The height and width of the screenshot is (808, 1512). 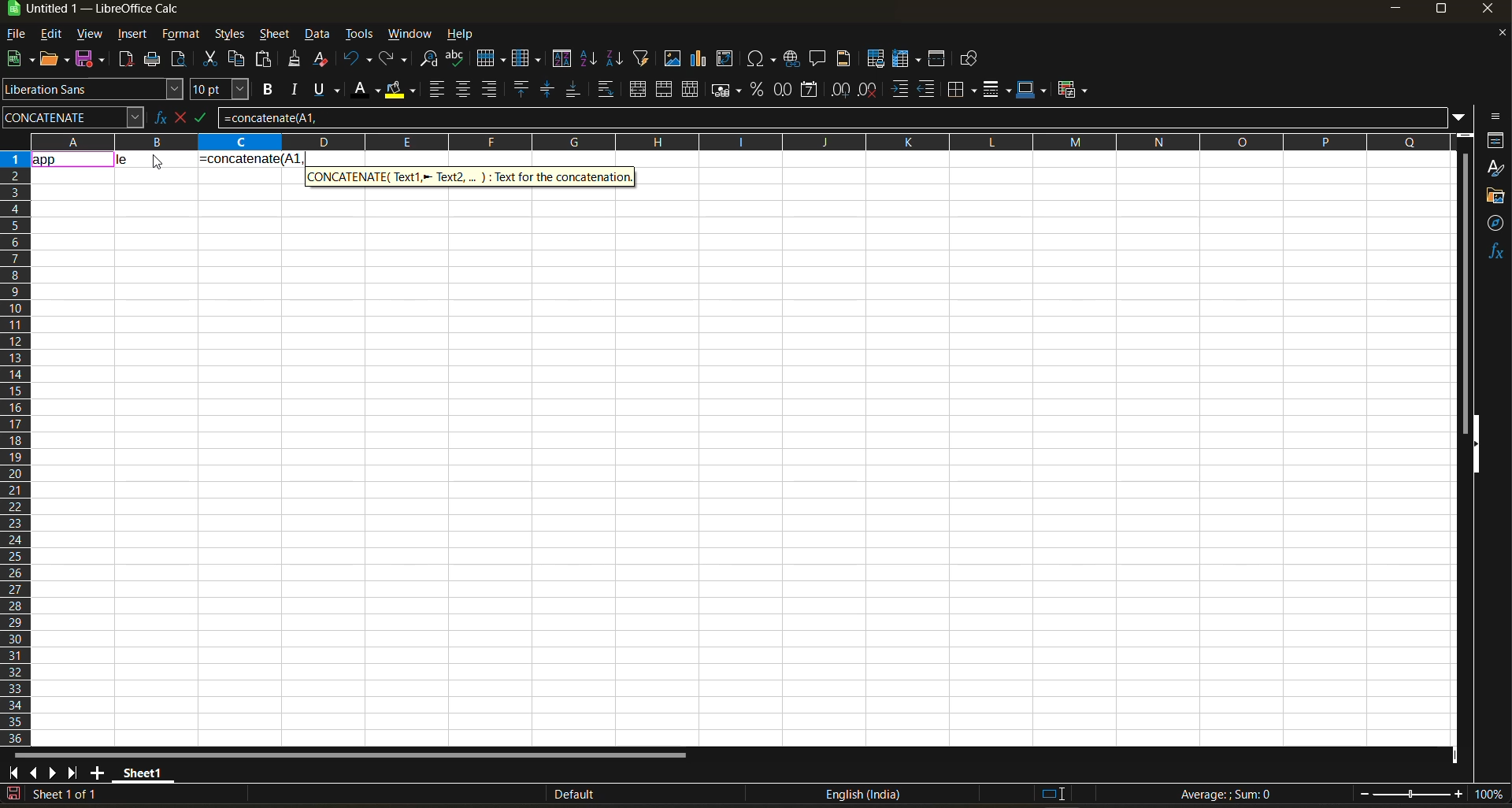 I want to click on spelling, so click(x=454, y=60).